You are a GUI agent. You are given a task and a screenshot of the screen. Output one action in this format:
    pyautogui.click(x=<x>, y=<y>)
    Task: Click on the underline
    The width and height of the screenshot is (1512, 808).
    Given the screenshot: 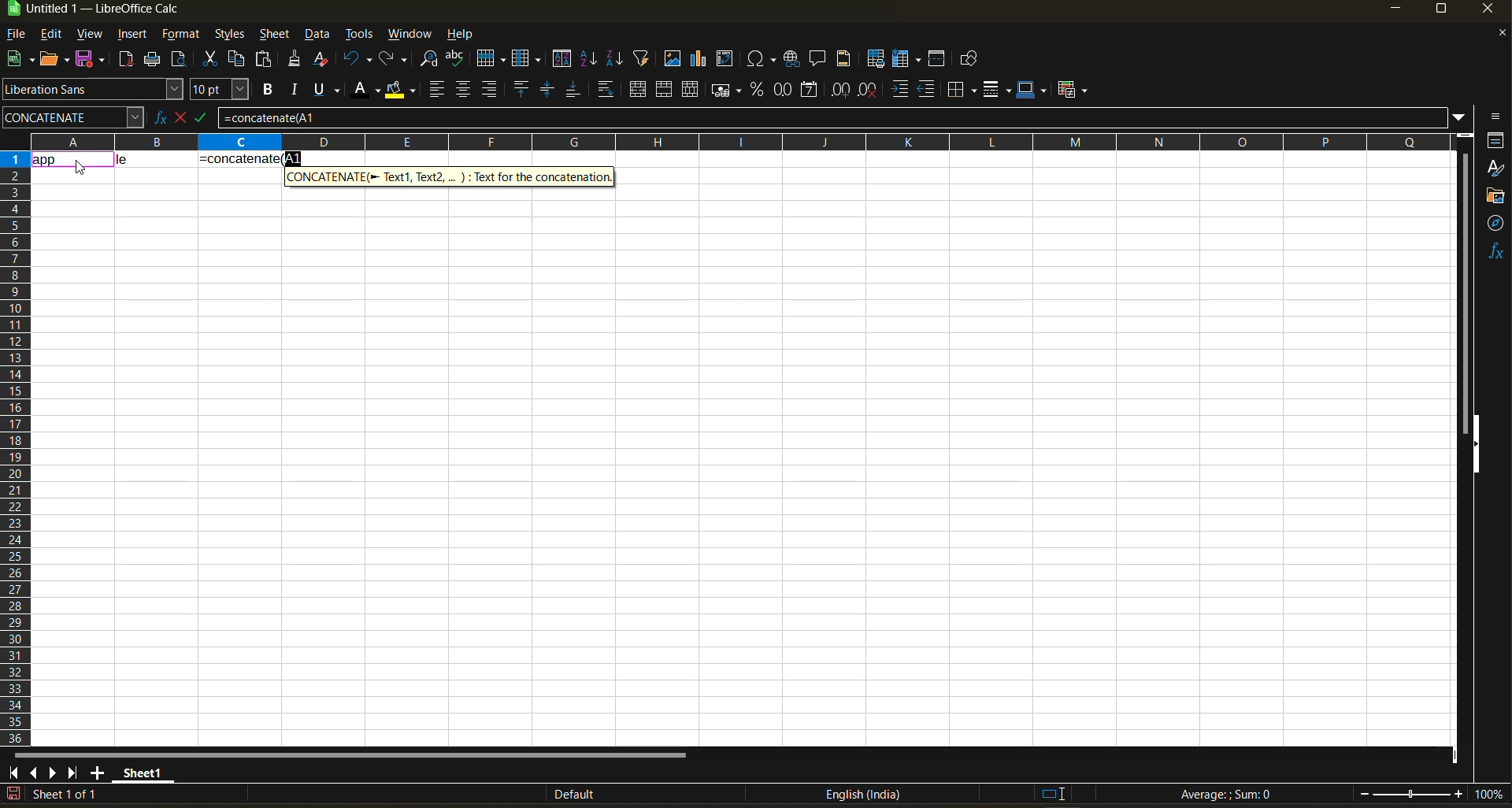 What is the action you would take?
    pyautogui.click(x=331, y=89)
    